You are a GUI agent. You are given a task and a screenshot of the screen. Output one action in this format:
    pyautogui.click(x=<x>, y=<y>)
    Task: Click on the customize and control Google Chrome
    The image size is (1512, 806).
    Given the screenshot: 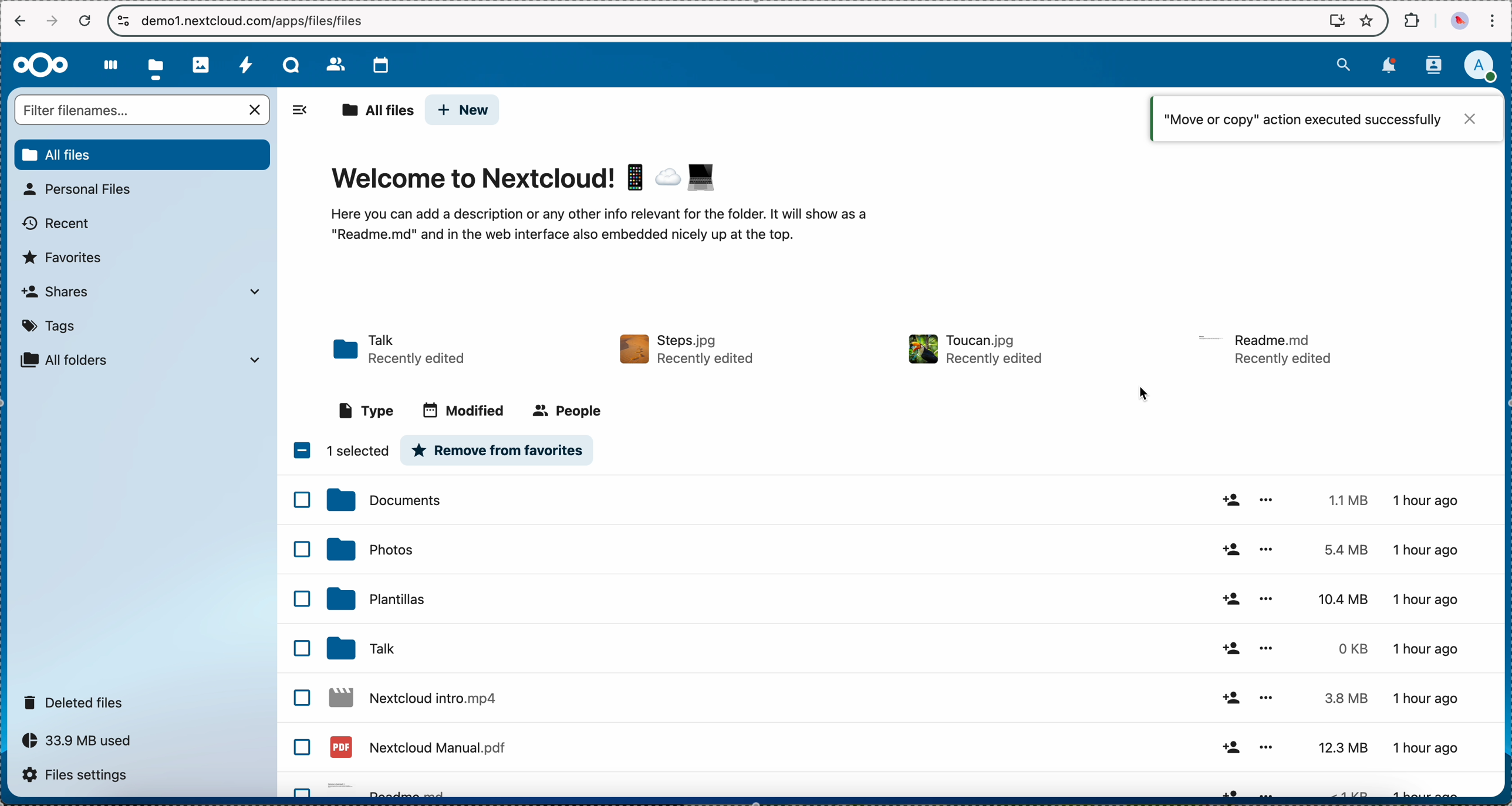 What is the action you would take?
    pyautogui.click(x=1493, y=21)
    